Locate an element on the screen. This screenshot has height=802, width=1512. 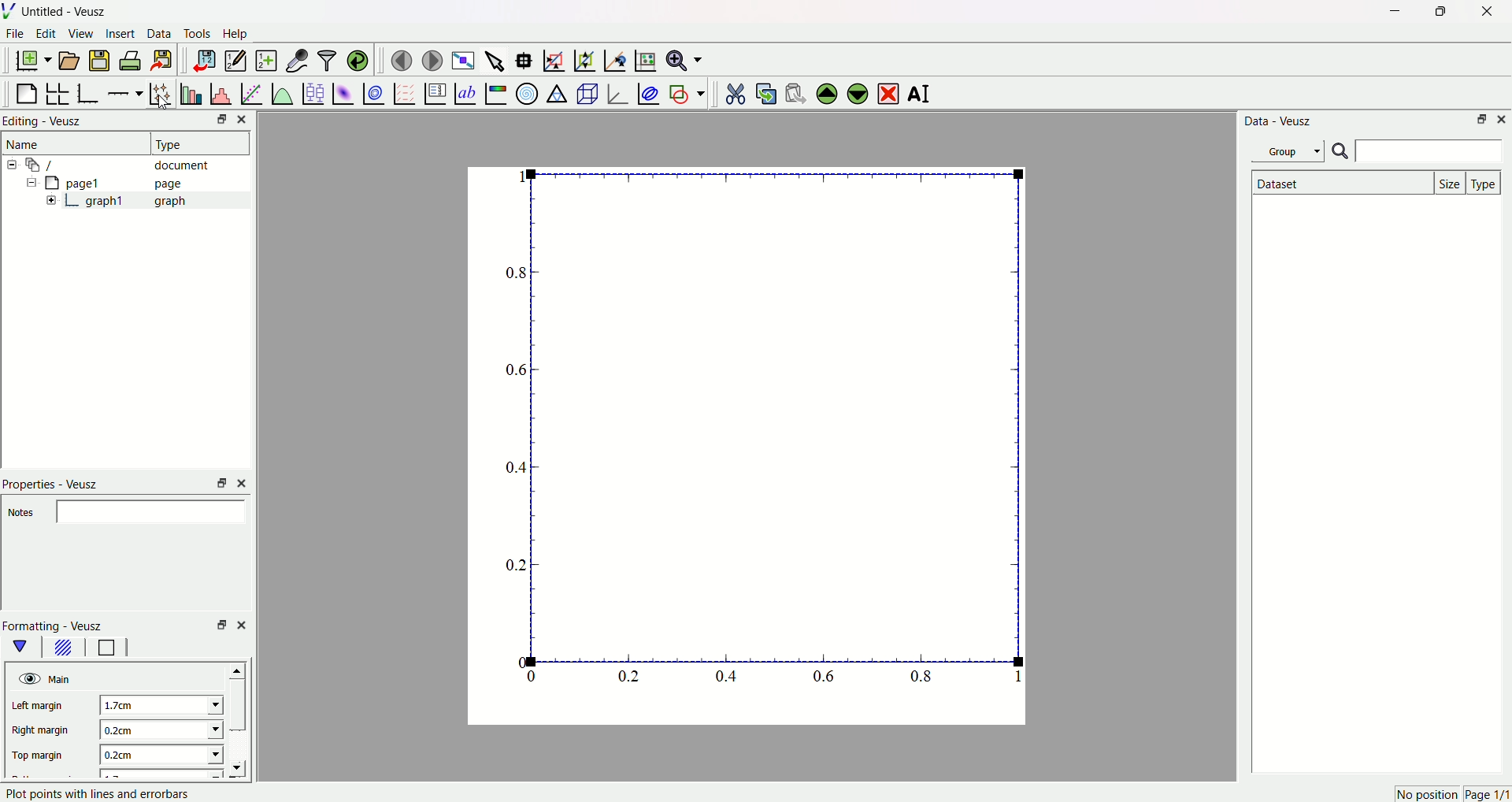
plot box plots is located at coordinates (313, 91).